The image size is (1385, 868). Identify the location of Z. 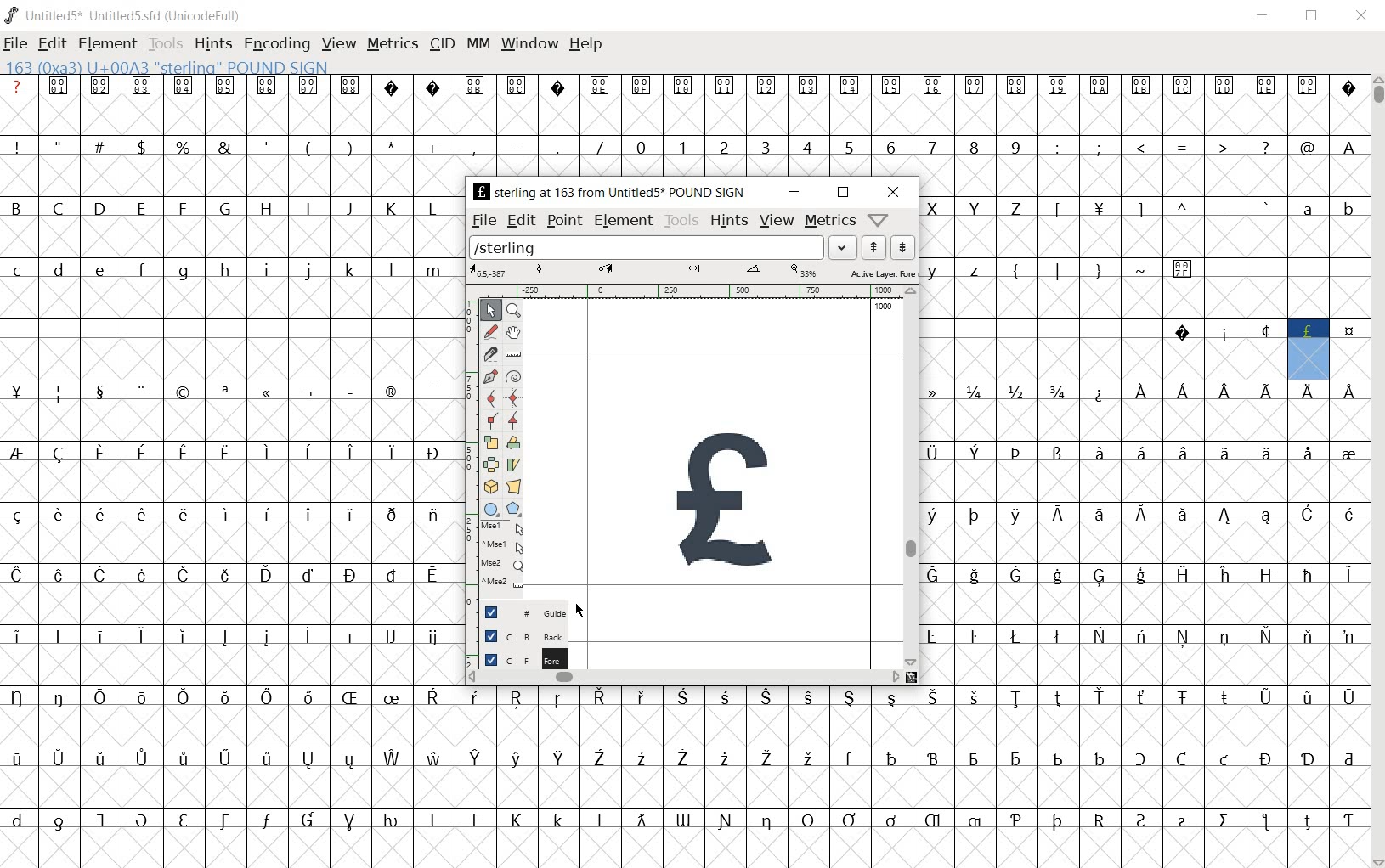
(1016, 210).